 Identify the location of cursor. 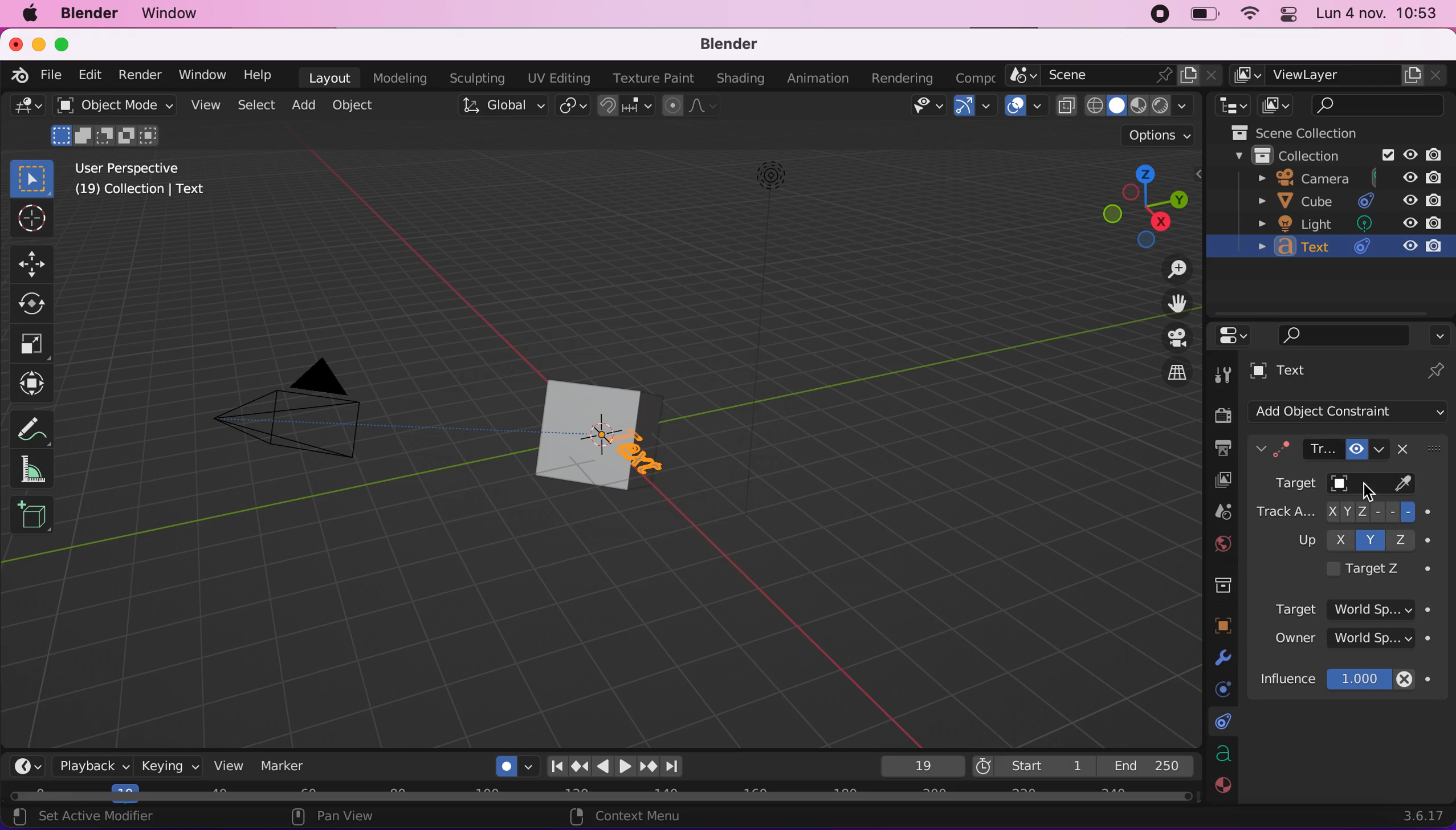
(1376, 489).